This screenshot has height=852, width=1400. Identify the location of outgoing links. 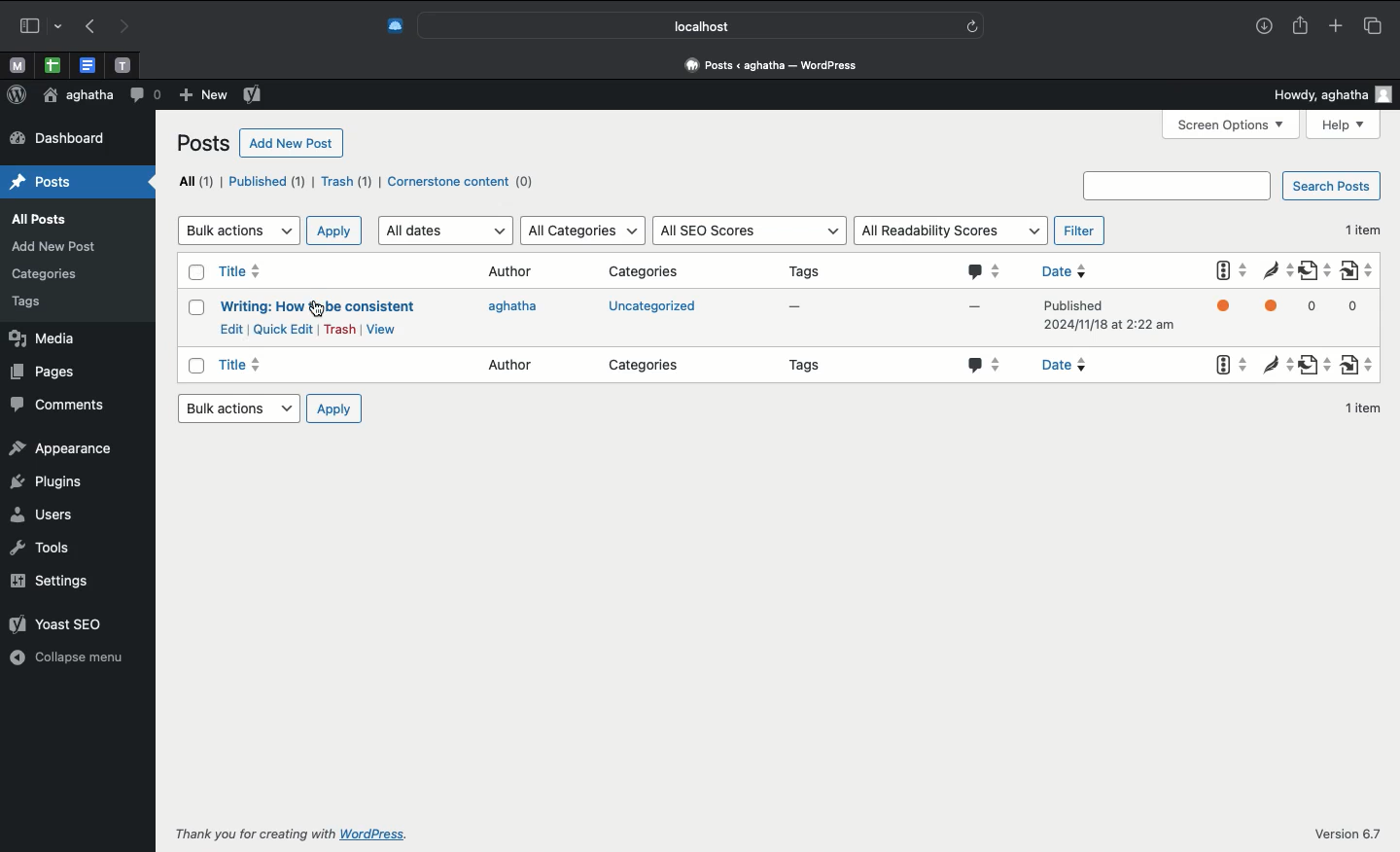
(1314, 367).